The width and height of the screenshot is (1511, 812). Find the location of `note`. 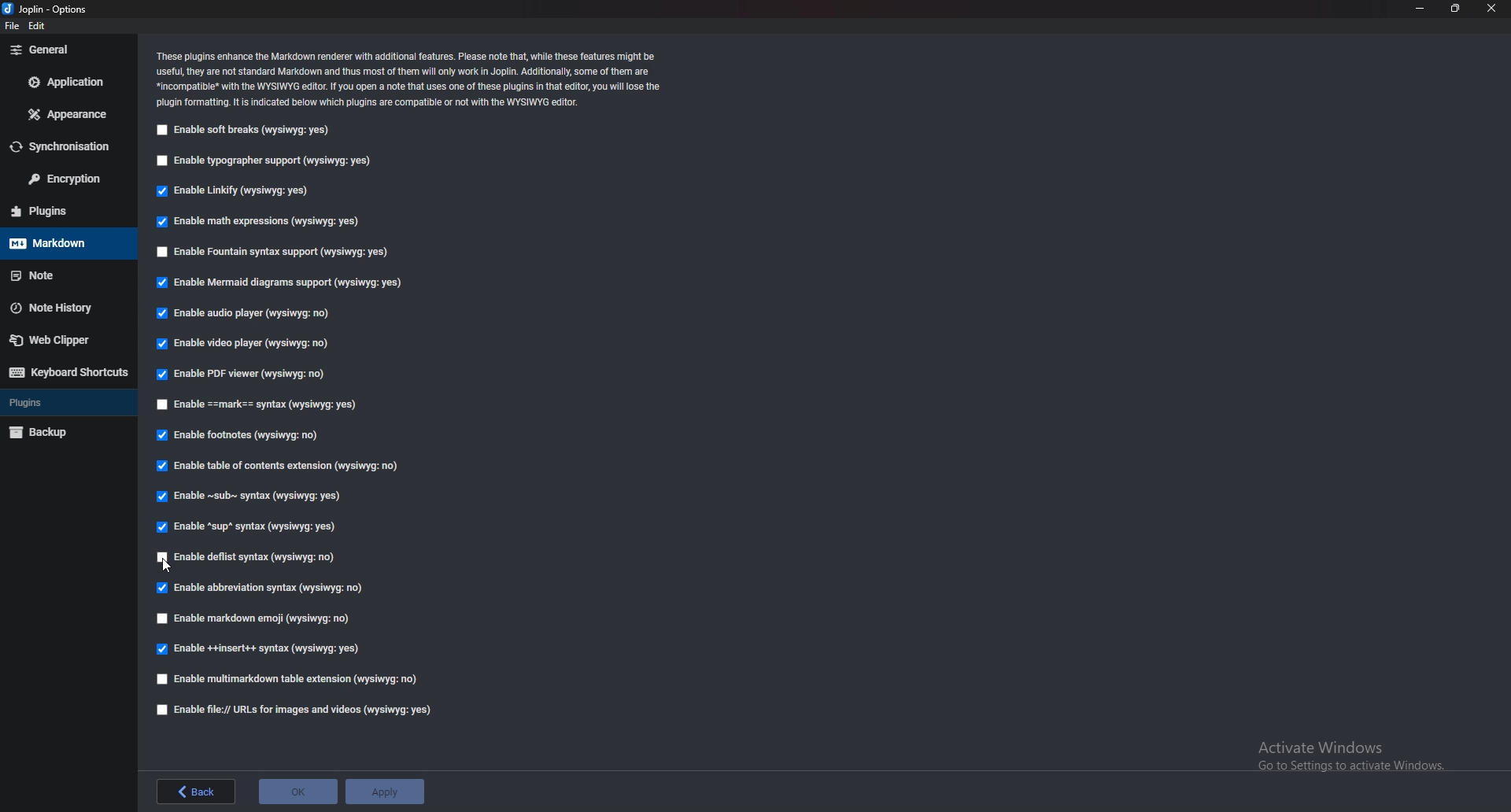

note is located at coordinates (64, 275).